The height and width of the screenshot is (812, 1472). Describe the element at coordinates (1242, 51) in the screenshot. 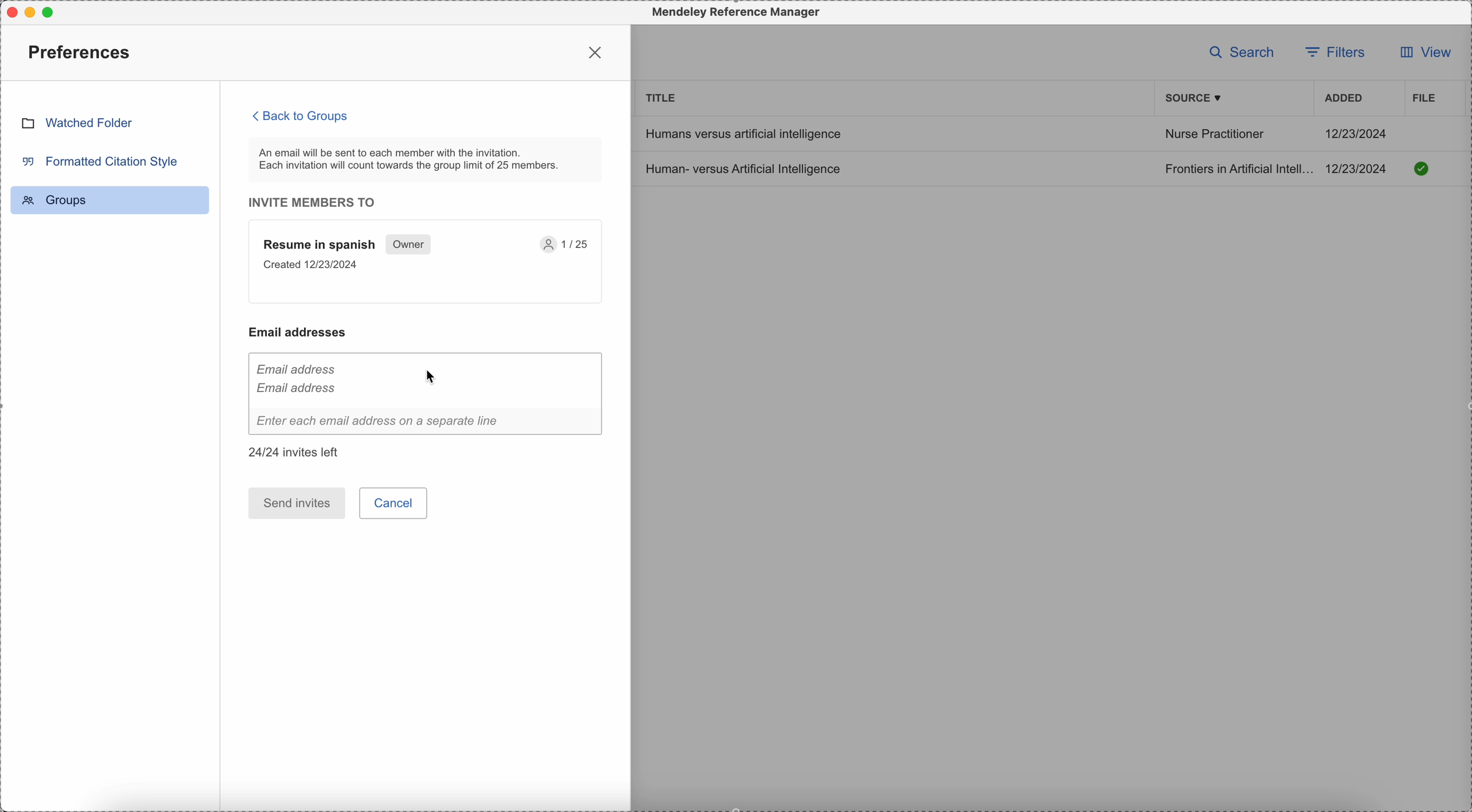

I see `search` at that location.